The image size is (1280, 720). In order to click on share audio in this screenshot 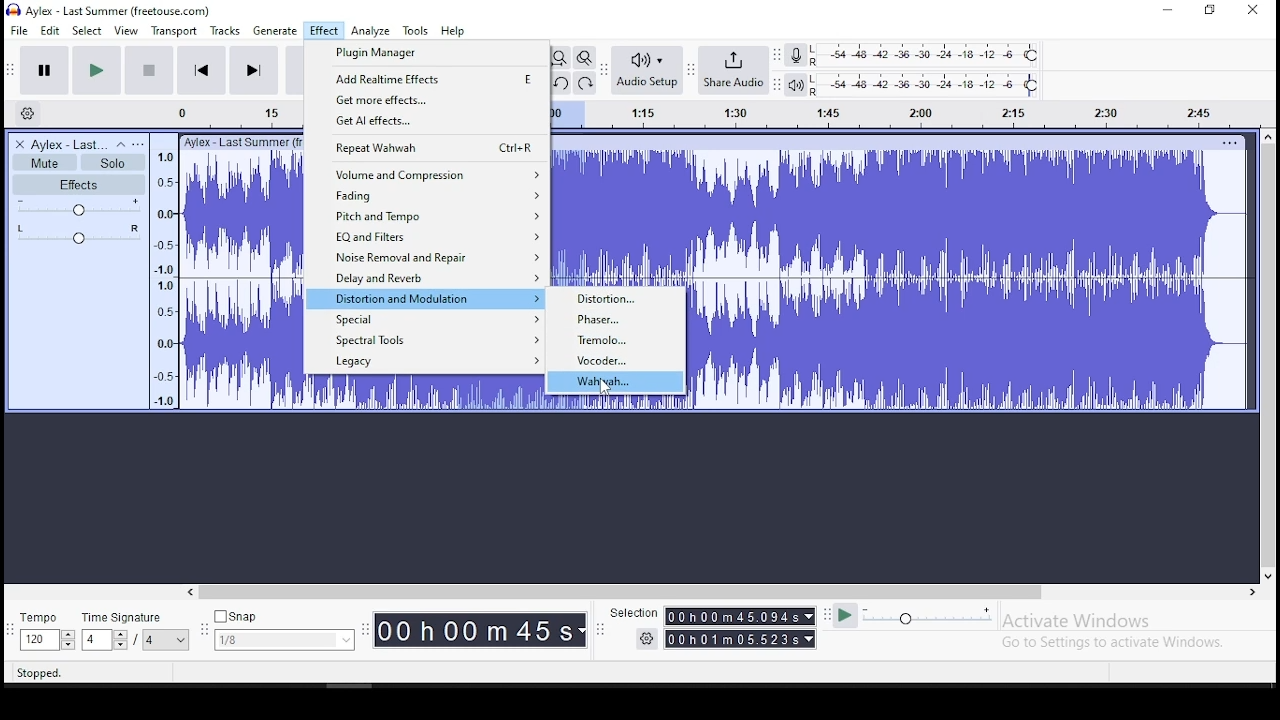, I will do `click(736, 71)`.